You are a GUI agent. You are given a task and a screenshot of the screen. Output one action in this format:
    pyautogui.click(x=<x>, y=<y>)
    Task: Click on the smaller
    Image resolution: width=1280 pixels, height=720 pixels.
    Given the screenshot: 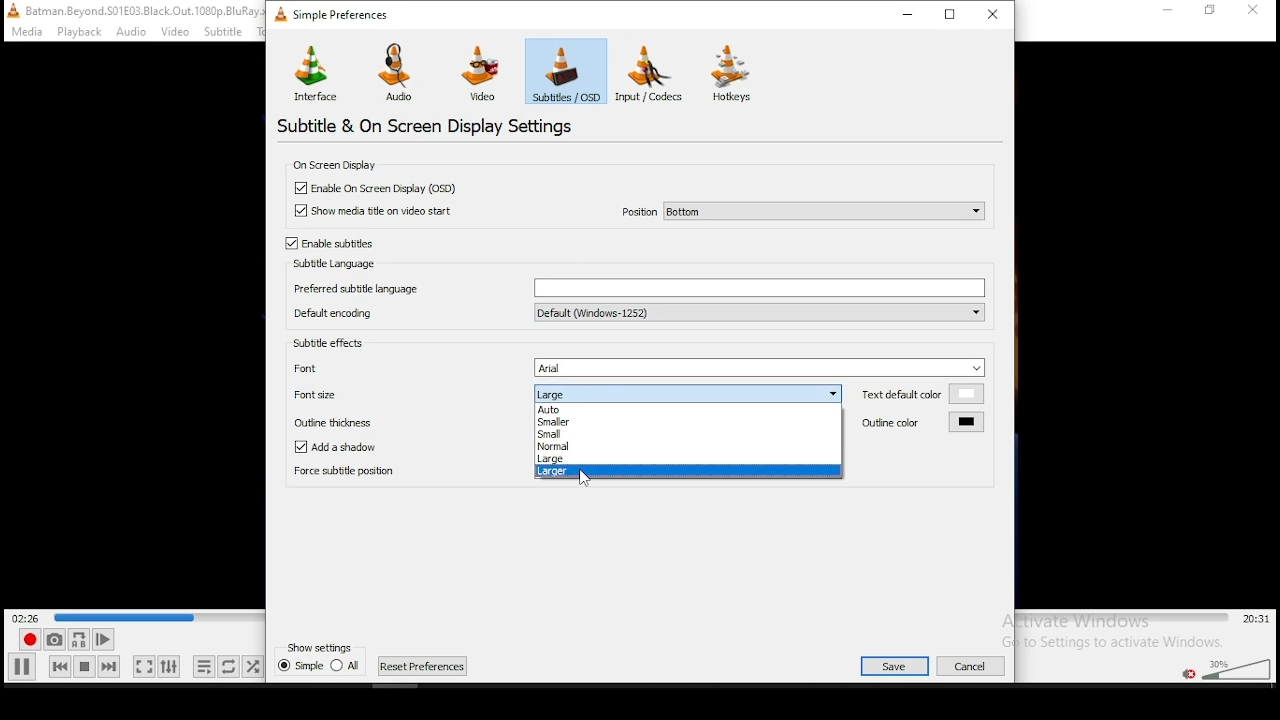 What is the action you would take?
    pyautogui.click(x=686, y=422)
    